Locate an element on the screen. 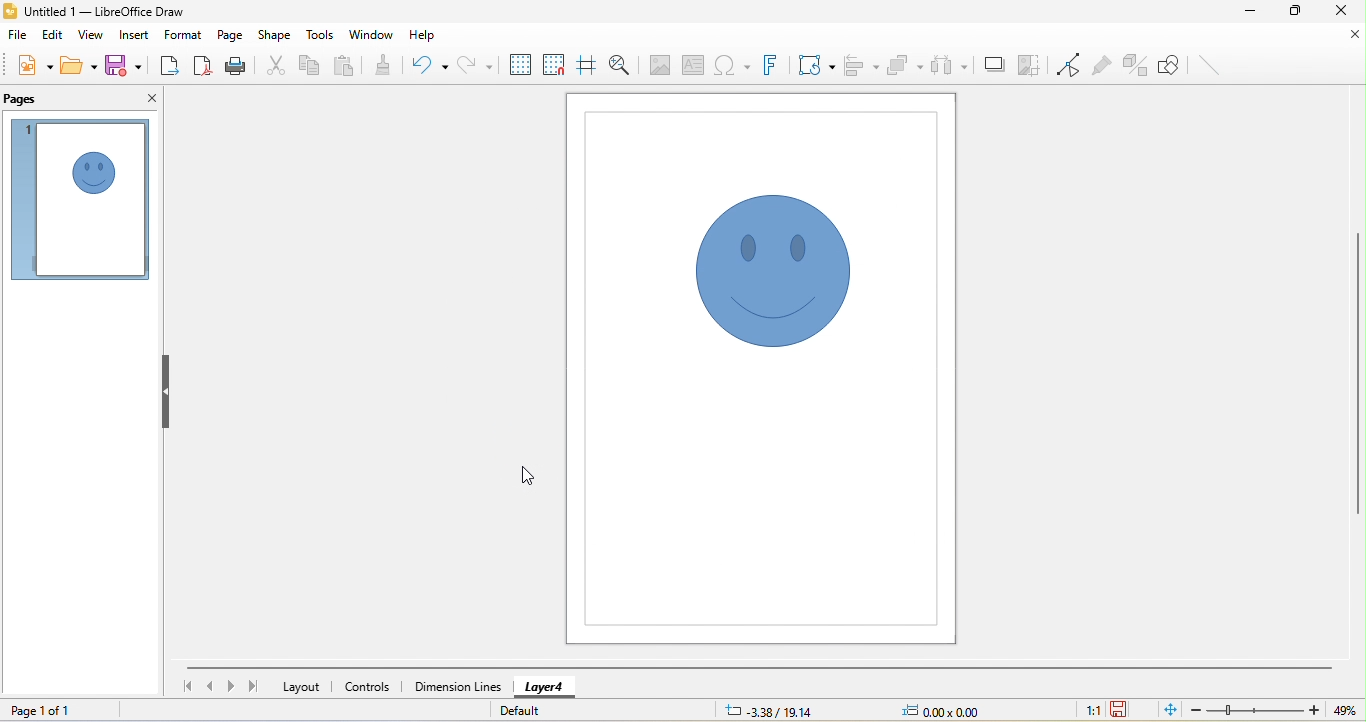 The image size is (1366, 722). help is located at coordinates (421, 36).